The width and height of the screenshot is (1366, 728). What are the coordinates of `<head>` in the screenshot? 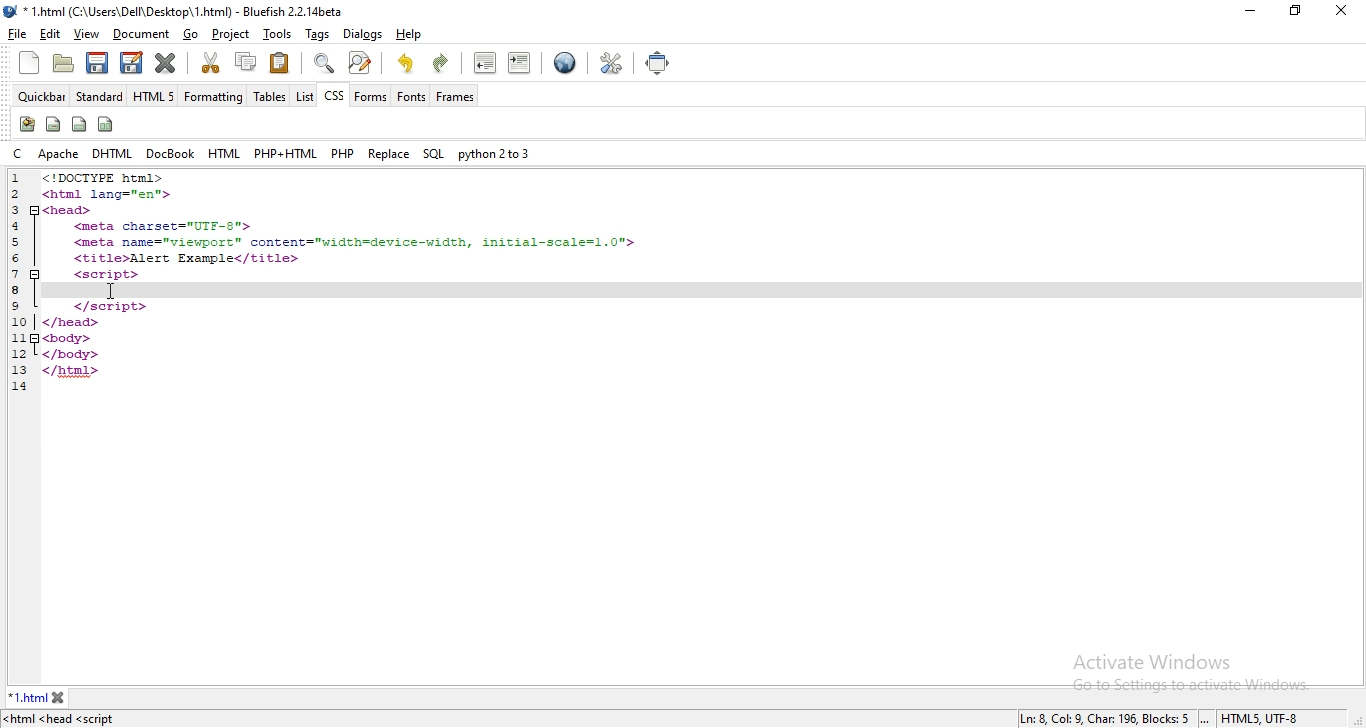 It's located at (69, 209).